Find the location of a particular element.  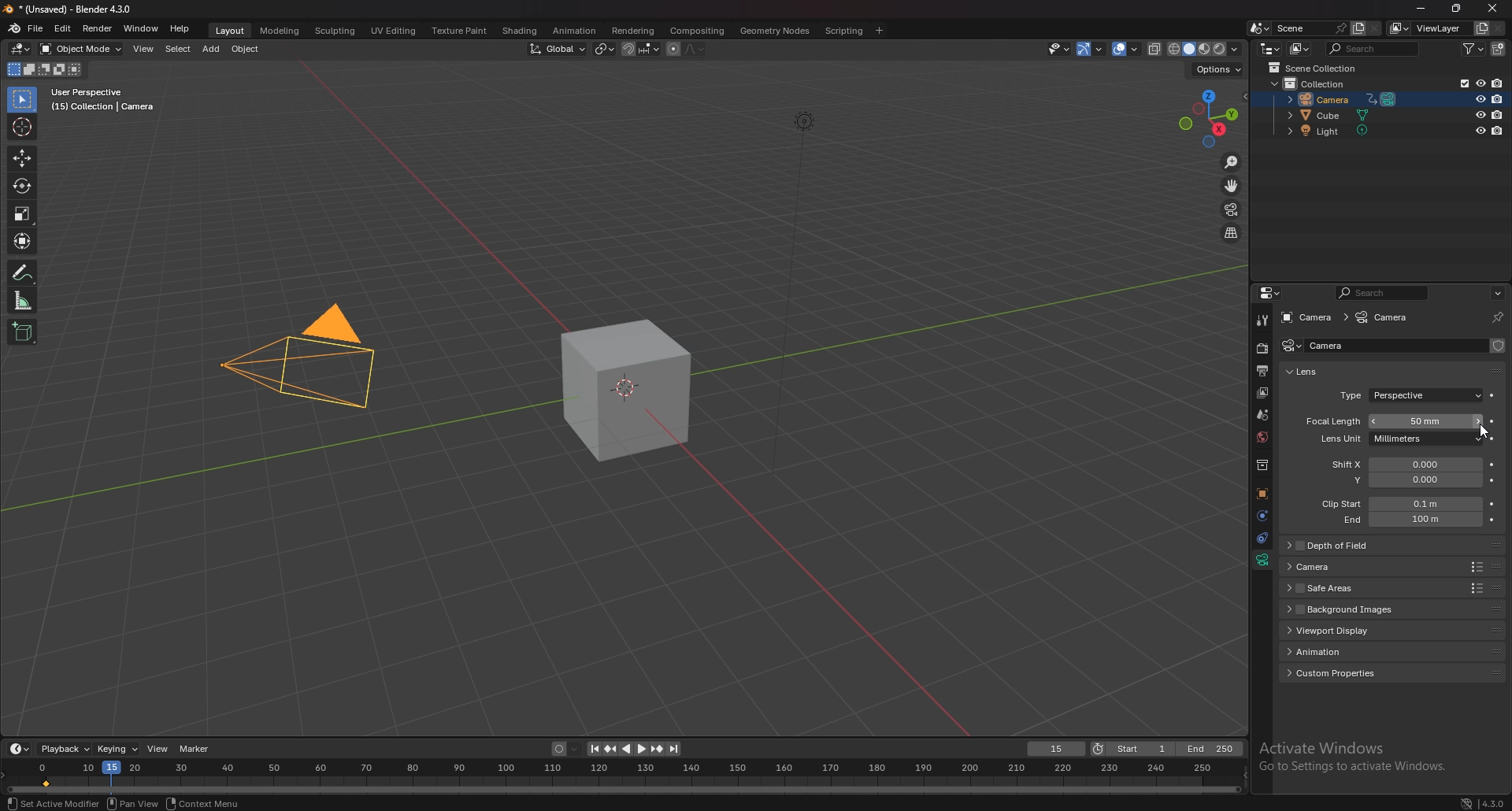

constraints is located at coordinates (1262, 537).